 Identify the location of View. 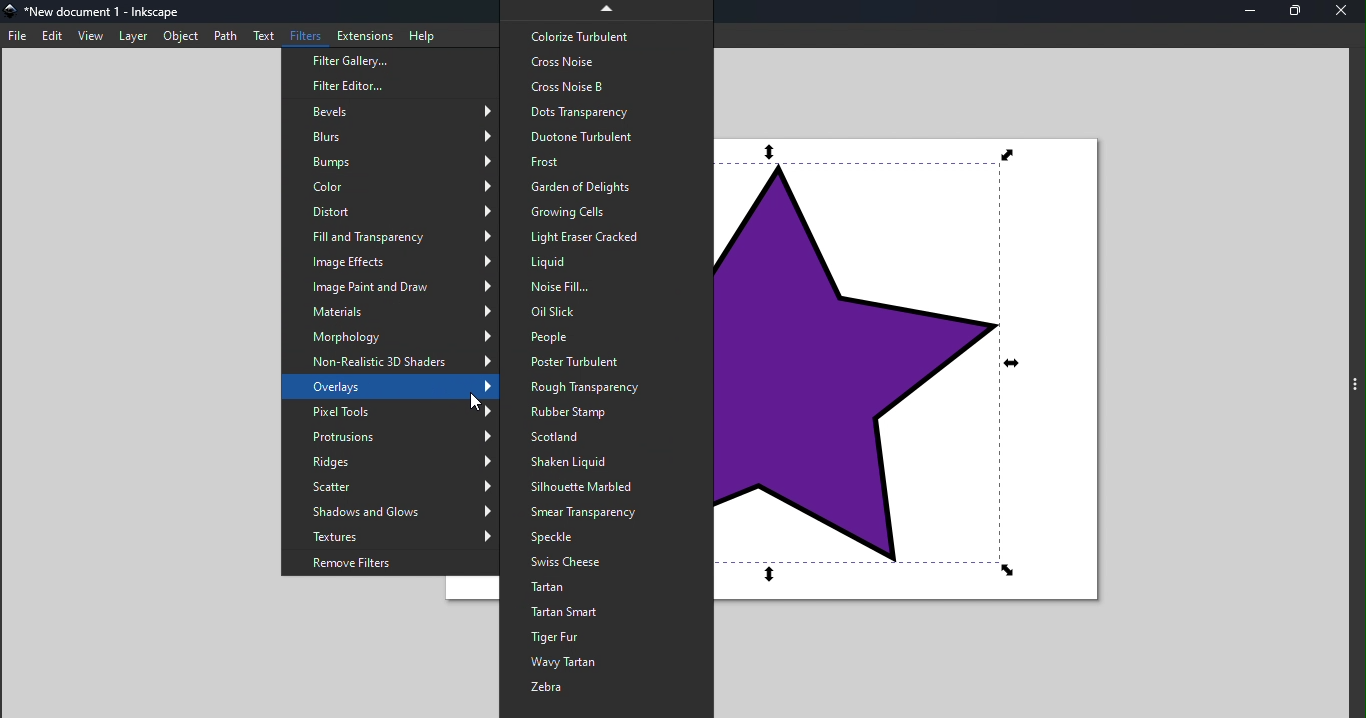
(89, 35).